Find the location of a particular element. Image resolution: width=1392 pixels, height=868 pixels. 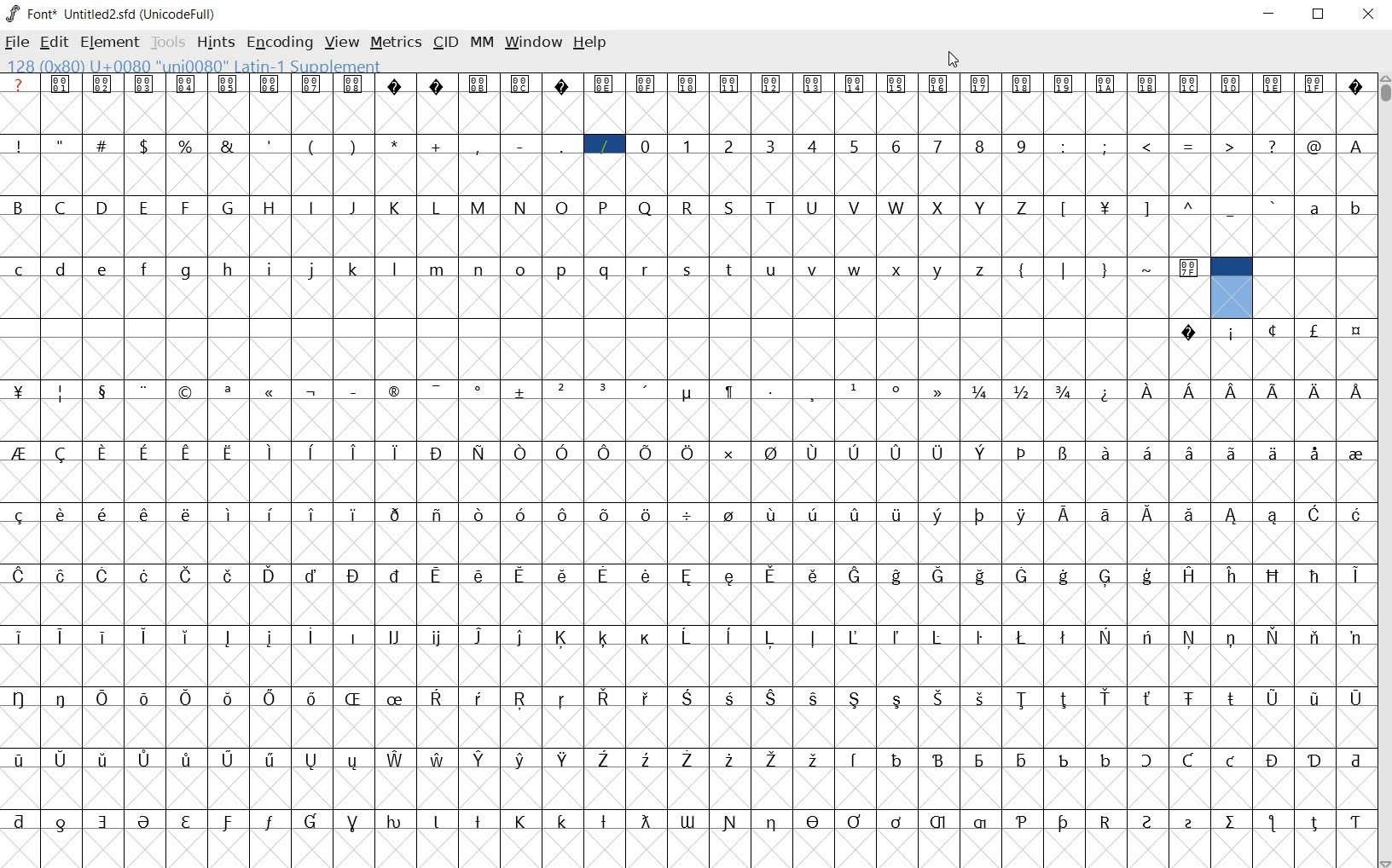

Symbol is located at coordinates (353, 391).